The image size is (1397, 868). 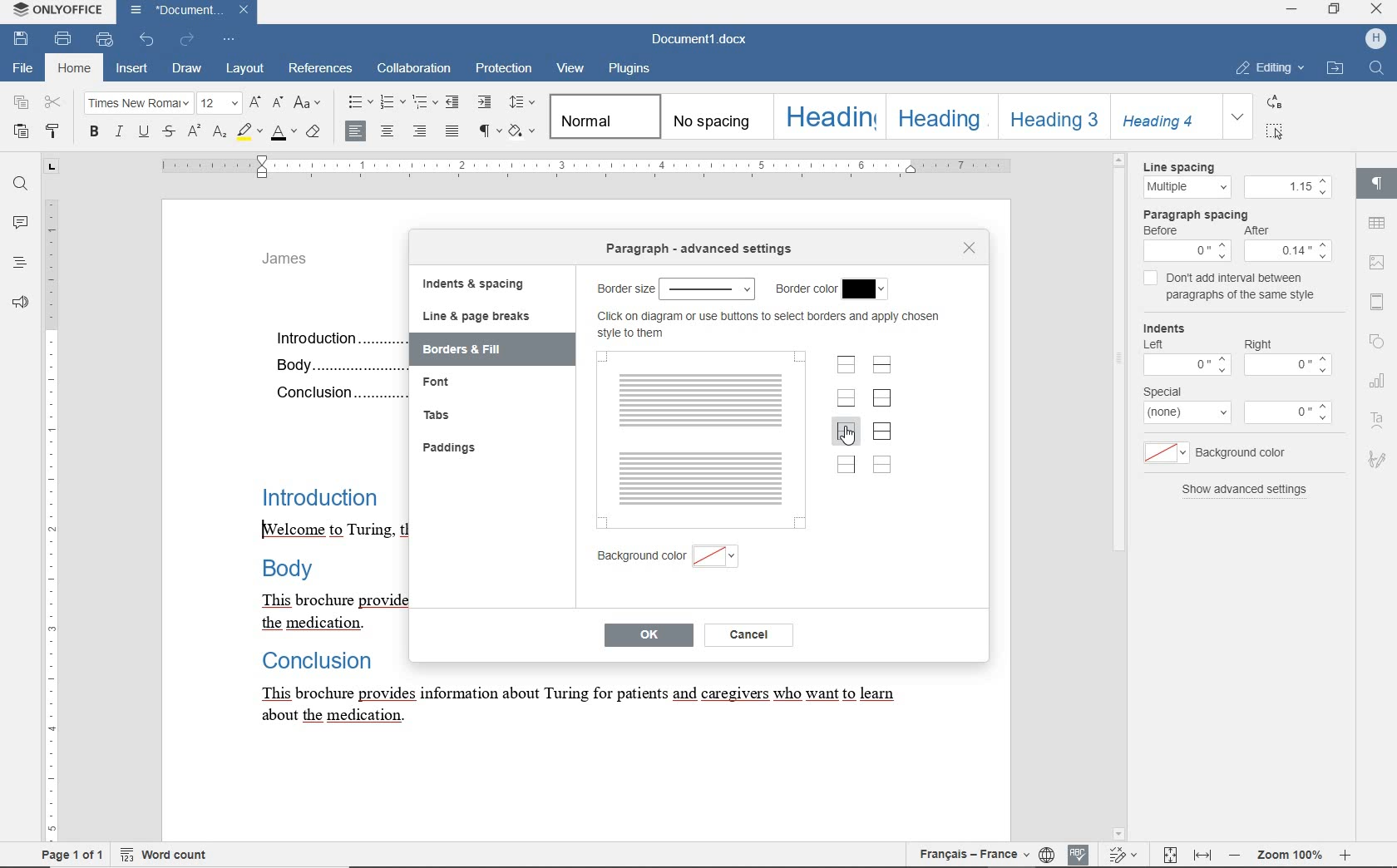 What do you see at coordinates (1260, 343) in the screenshot?
I see `right` at bounding box center [1260, 343].